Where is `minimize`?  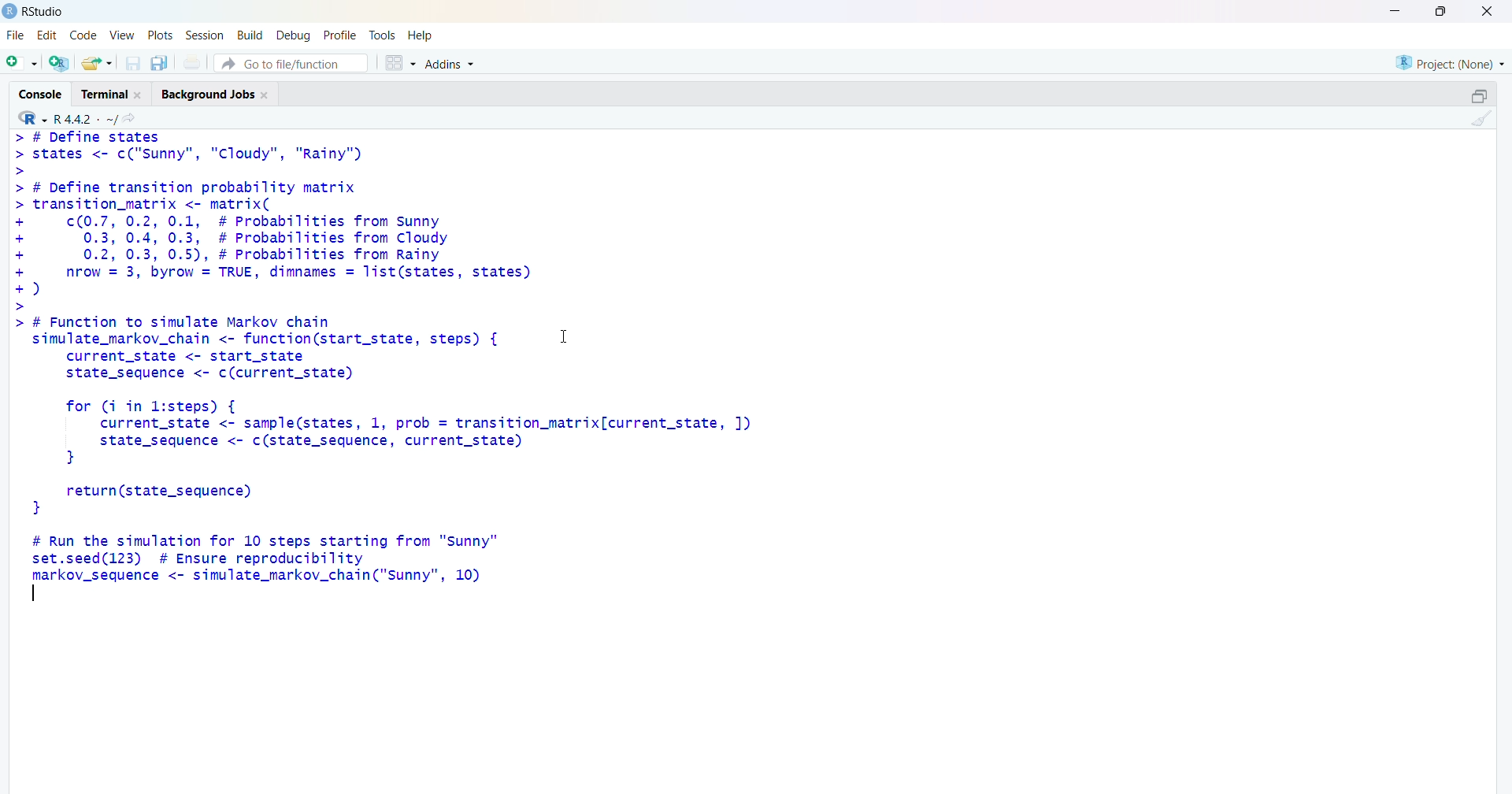
minimize is located at coordinates (1392, 11).